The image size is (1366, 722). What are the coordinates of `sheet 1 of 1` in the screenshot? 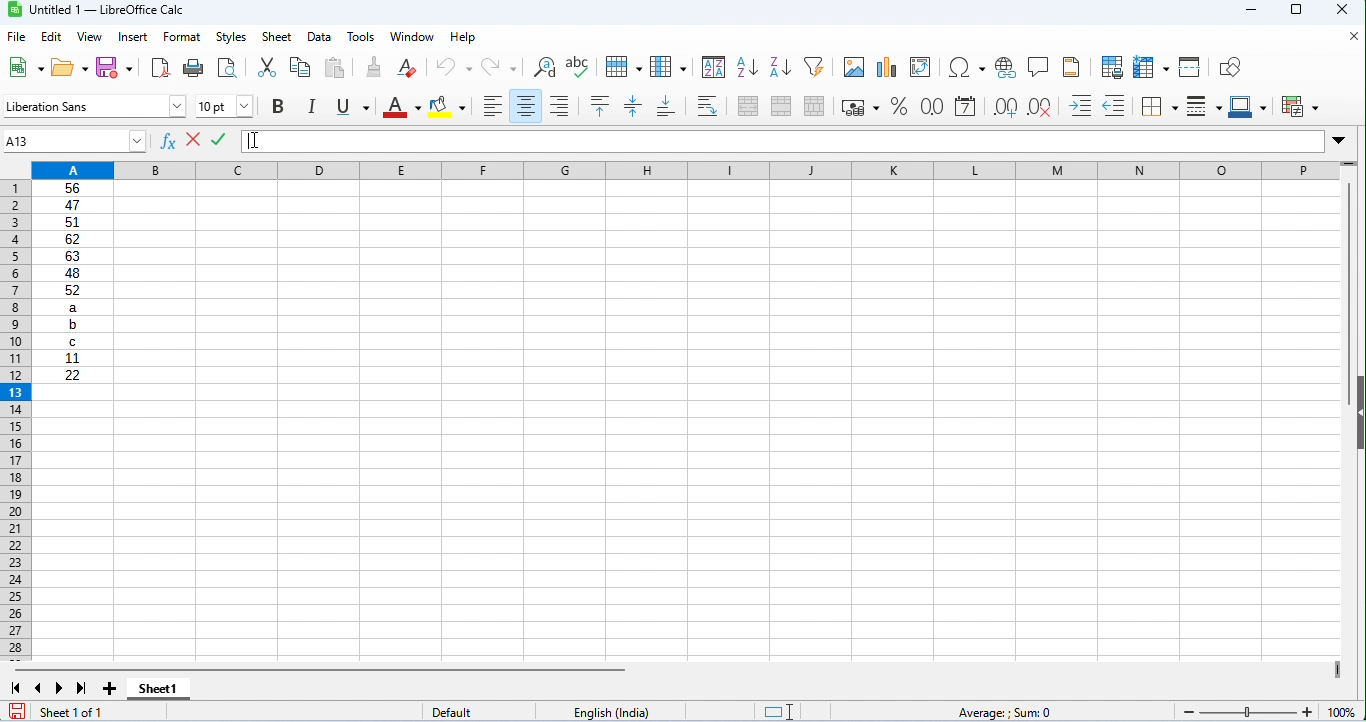 It's located at (97, 711).